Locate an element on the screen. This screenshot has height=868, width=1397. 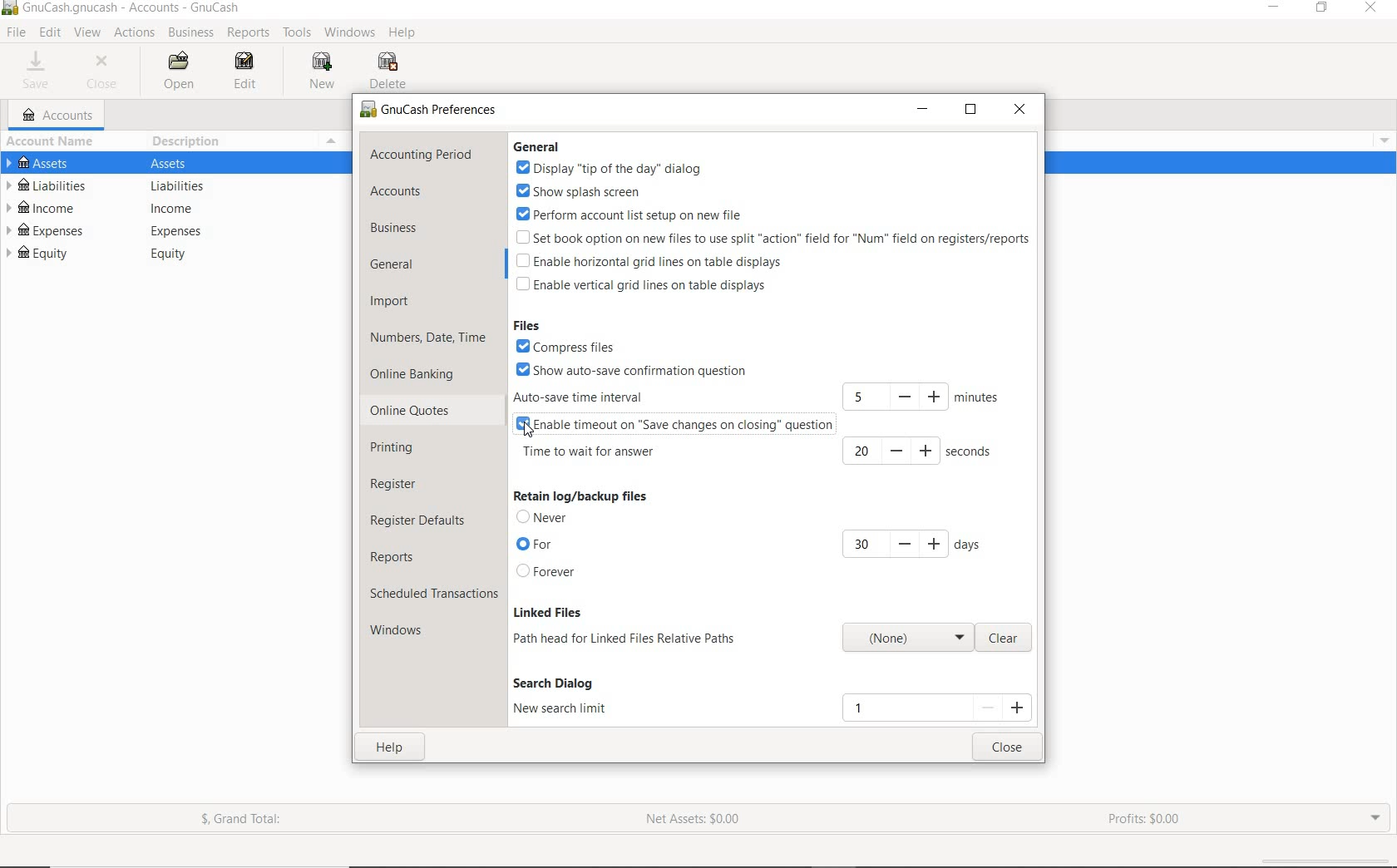
number of seconds before question window opens is located at coordinates (921, 451).